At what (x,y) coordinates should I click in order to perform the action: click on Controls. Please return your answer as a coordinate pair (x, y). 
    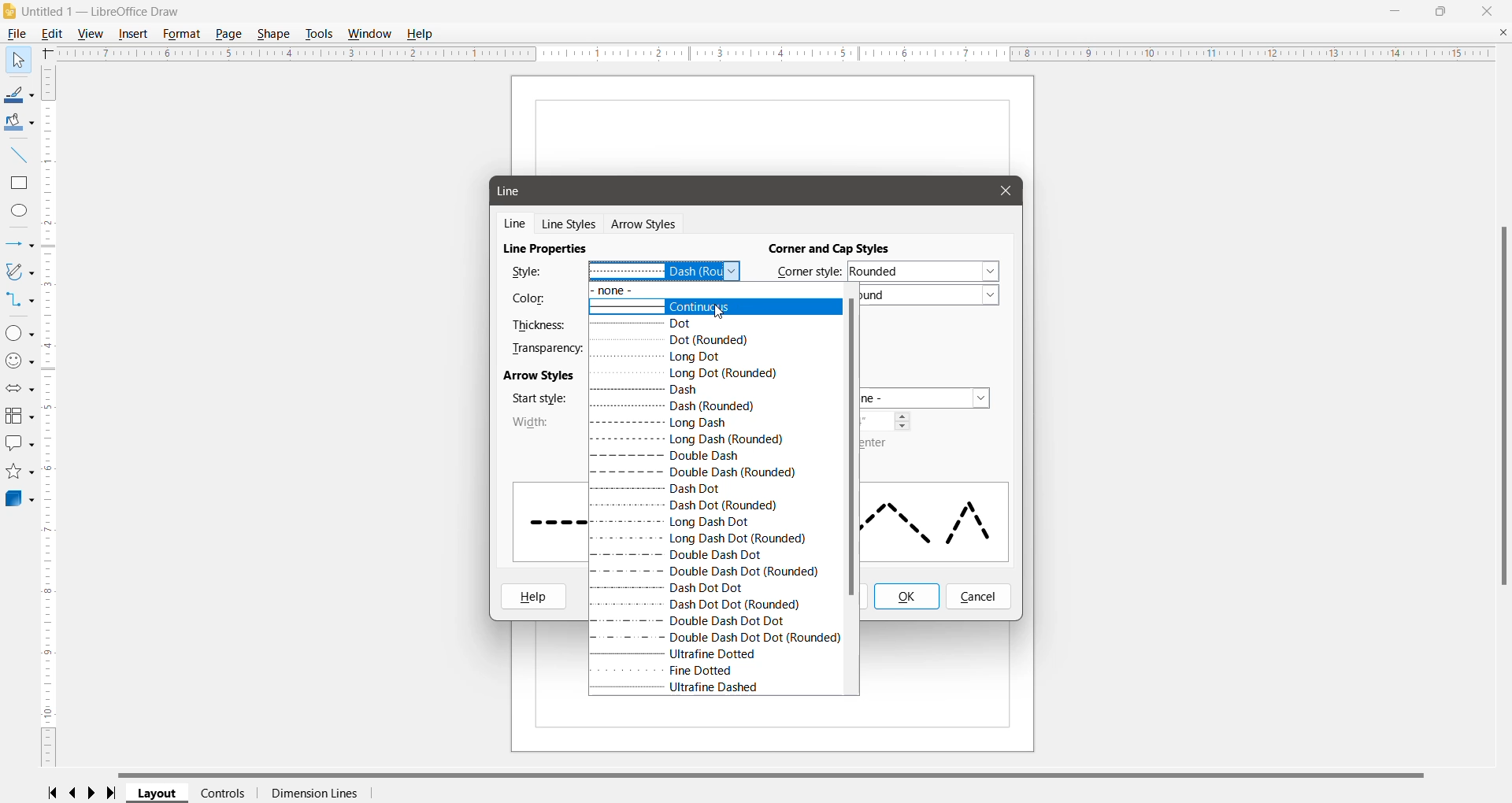
    Looking at the image, I should click on (224, 794).